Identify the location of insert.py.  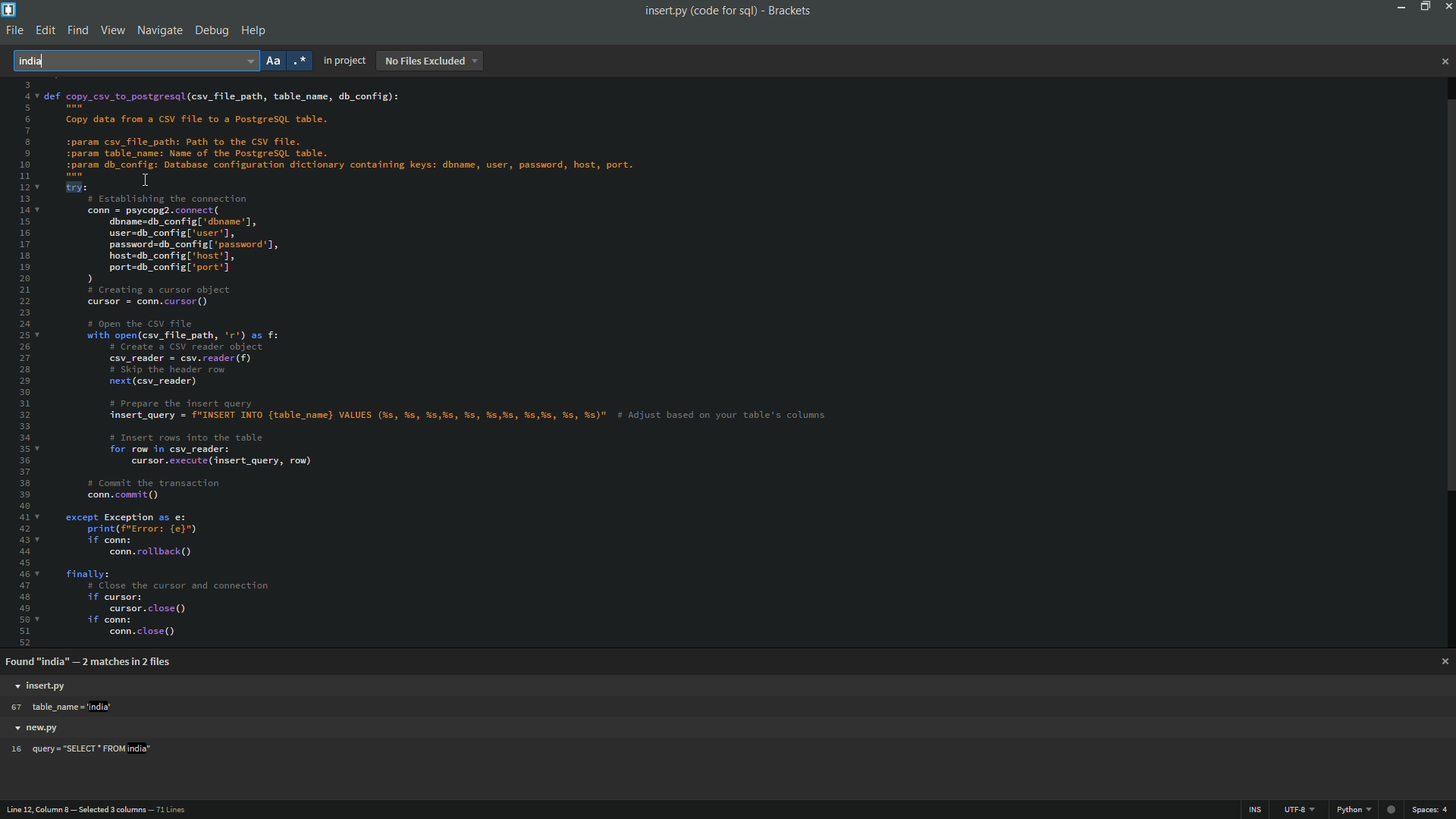
(42, 686).